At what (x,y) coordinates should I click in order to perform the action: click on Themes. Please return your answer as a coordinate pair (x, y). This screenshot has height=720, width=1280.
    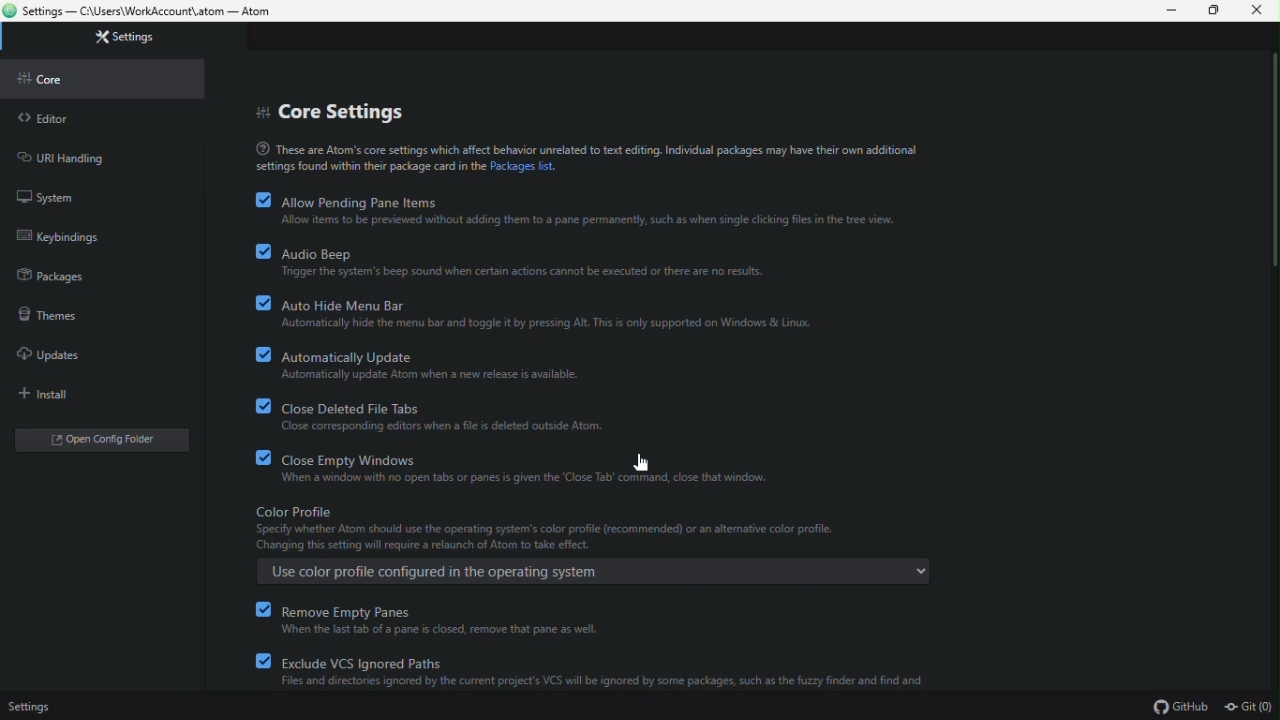
    Looking at the image, I should click on (98, 312).